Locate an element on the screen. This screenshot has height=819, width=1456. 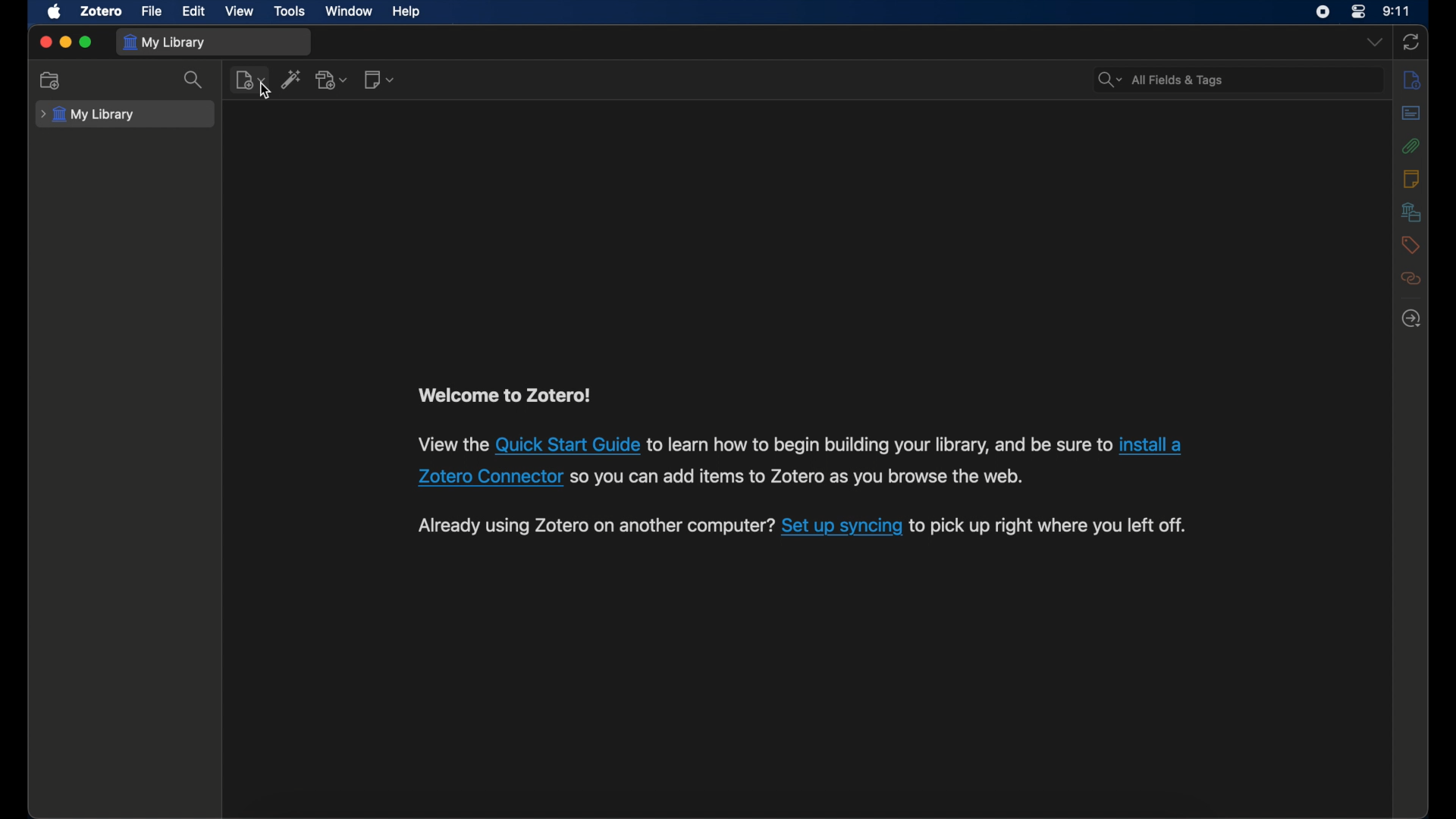
libraries is located at coordinates (1411, 212).